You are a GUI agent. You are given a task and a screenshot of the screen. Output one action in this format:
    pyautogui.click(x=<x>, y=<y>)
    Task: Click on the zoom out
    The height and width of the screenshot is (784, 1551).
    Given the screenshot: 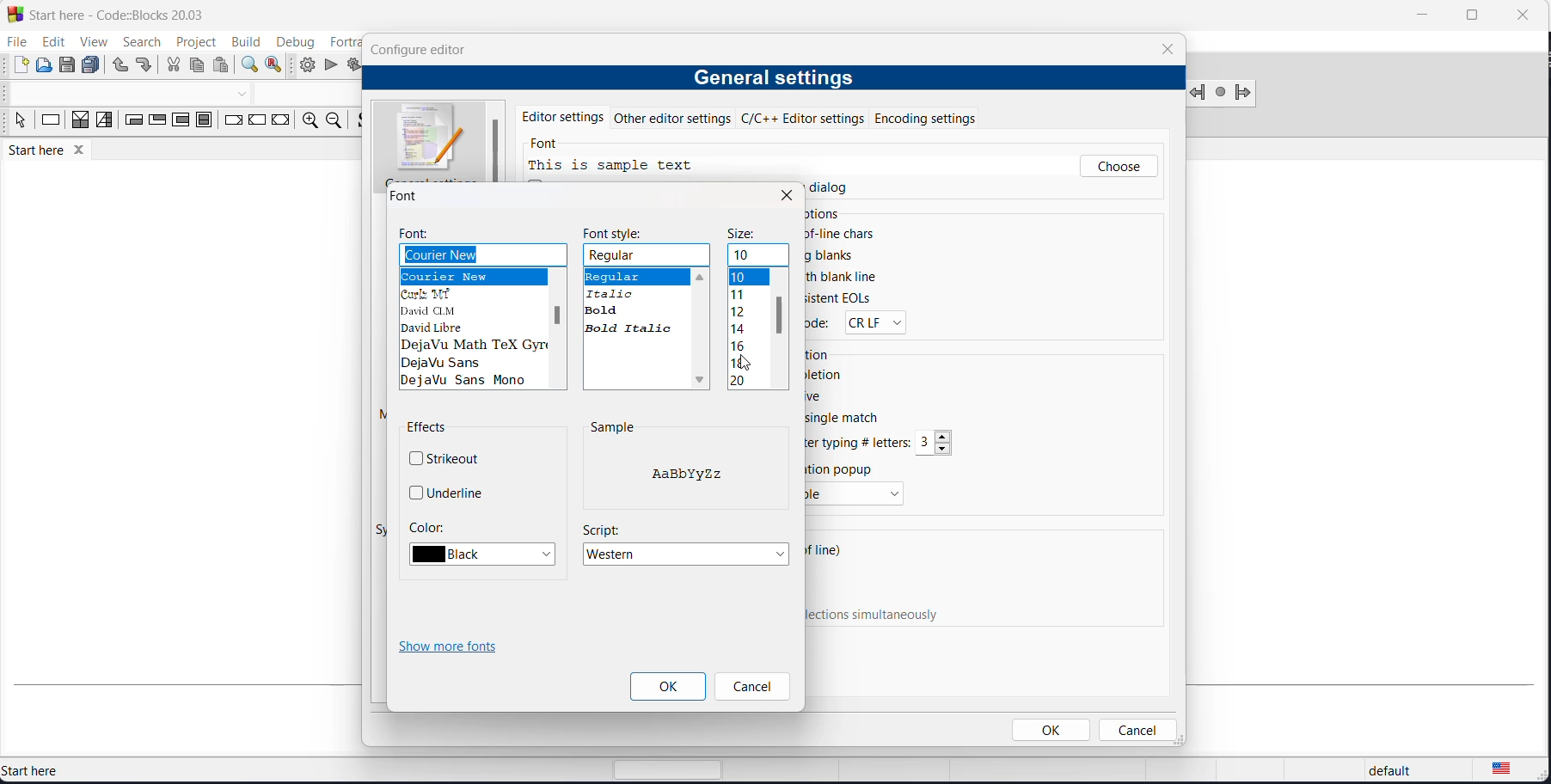 What is the action you would take?
    pyautogui.click(x=332, y=121)
    